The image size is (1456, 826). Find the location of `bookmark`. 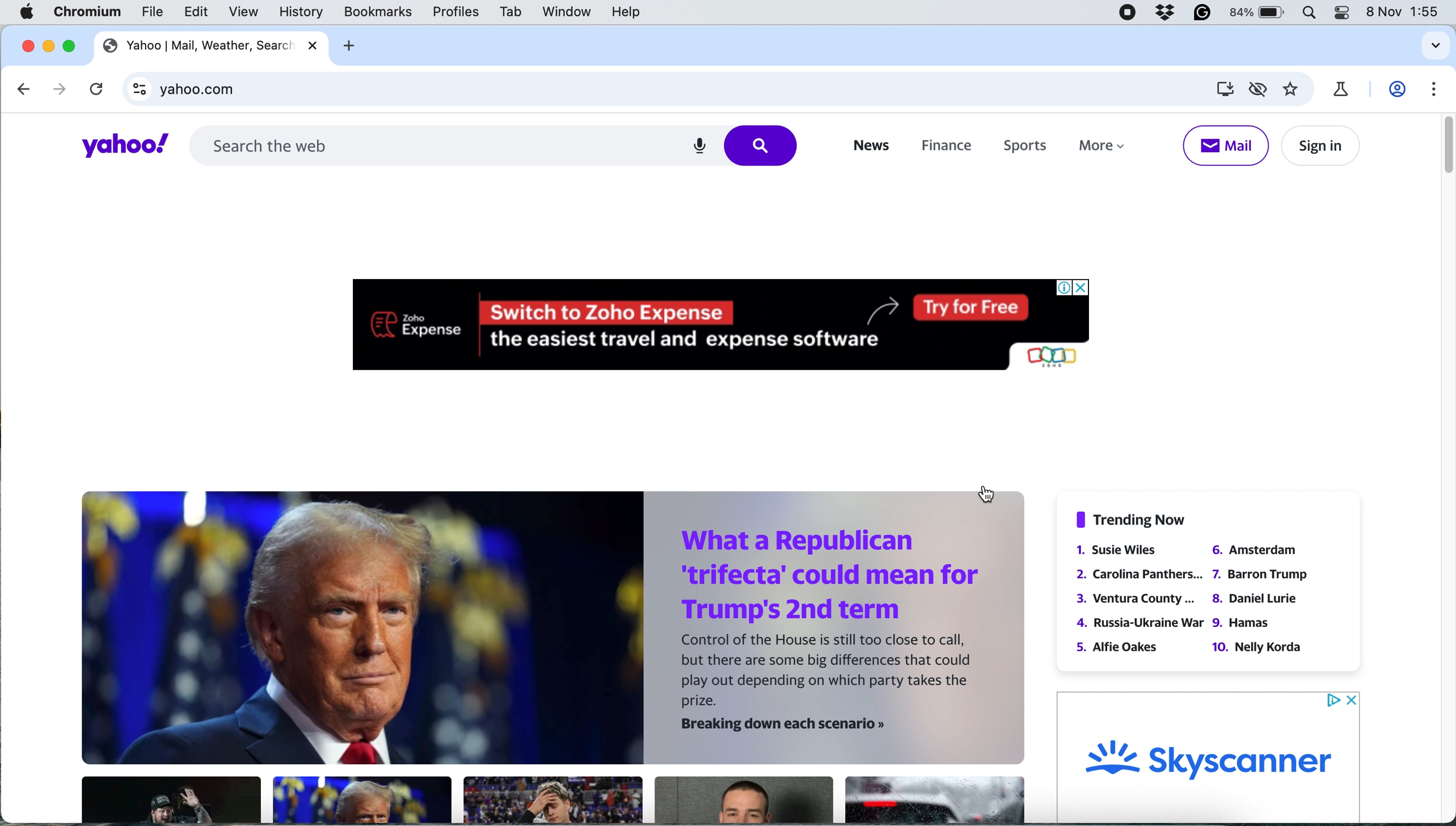

bookmark is located at coordinates (1297, 90).